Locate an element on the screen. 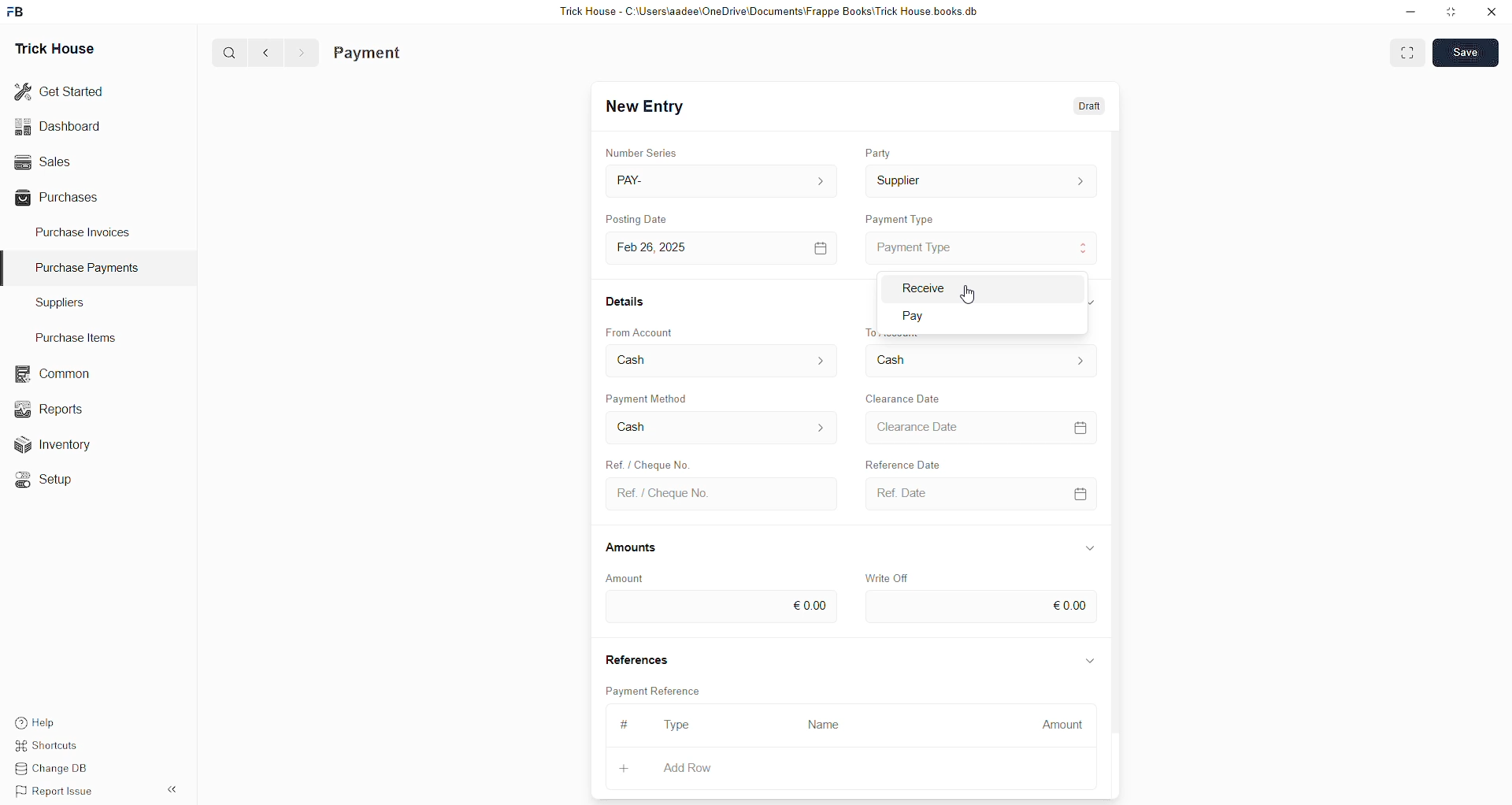 The image size is (1512, 805). Payment is located at coordinates (370, 52).